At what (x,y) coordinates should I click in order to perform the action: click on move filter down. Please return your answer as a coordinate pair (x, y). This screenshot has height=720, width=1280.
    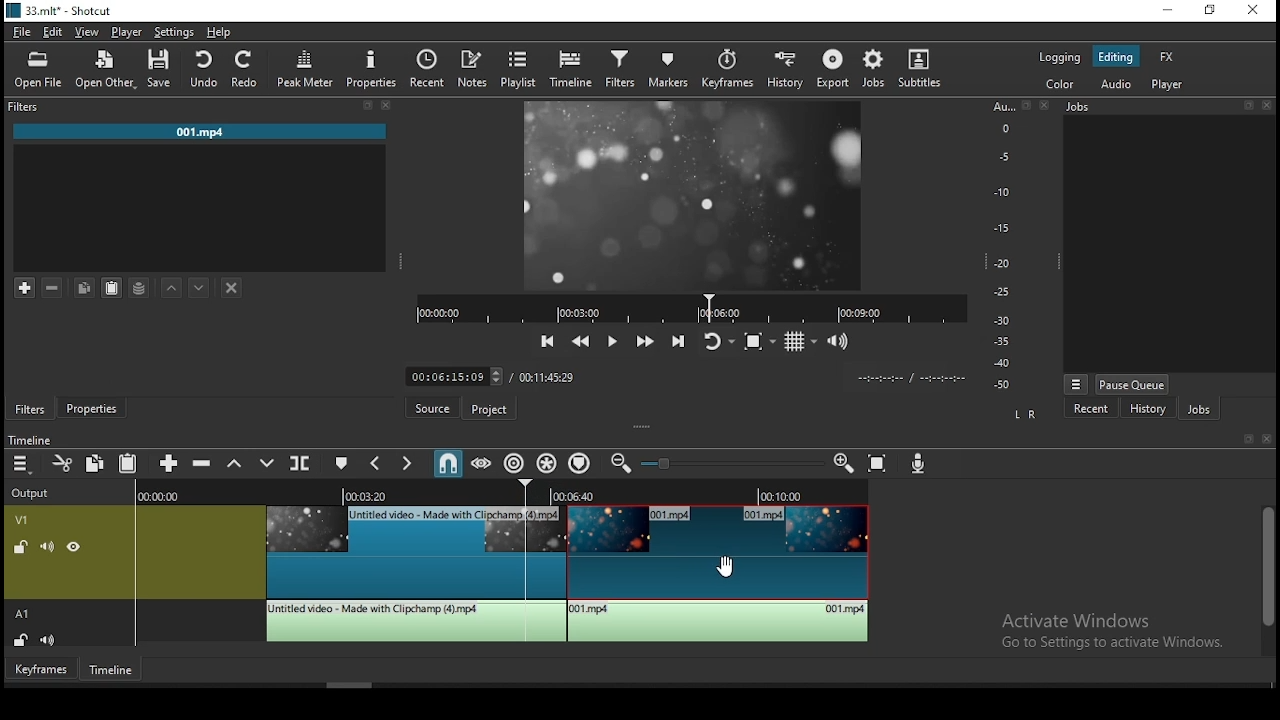
    Looking at the image, I should click on (199, 285).